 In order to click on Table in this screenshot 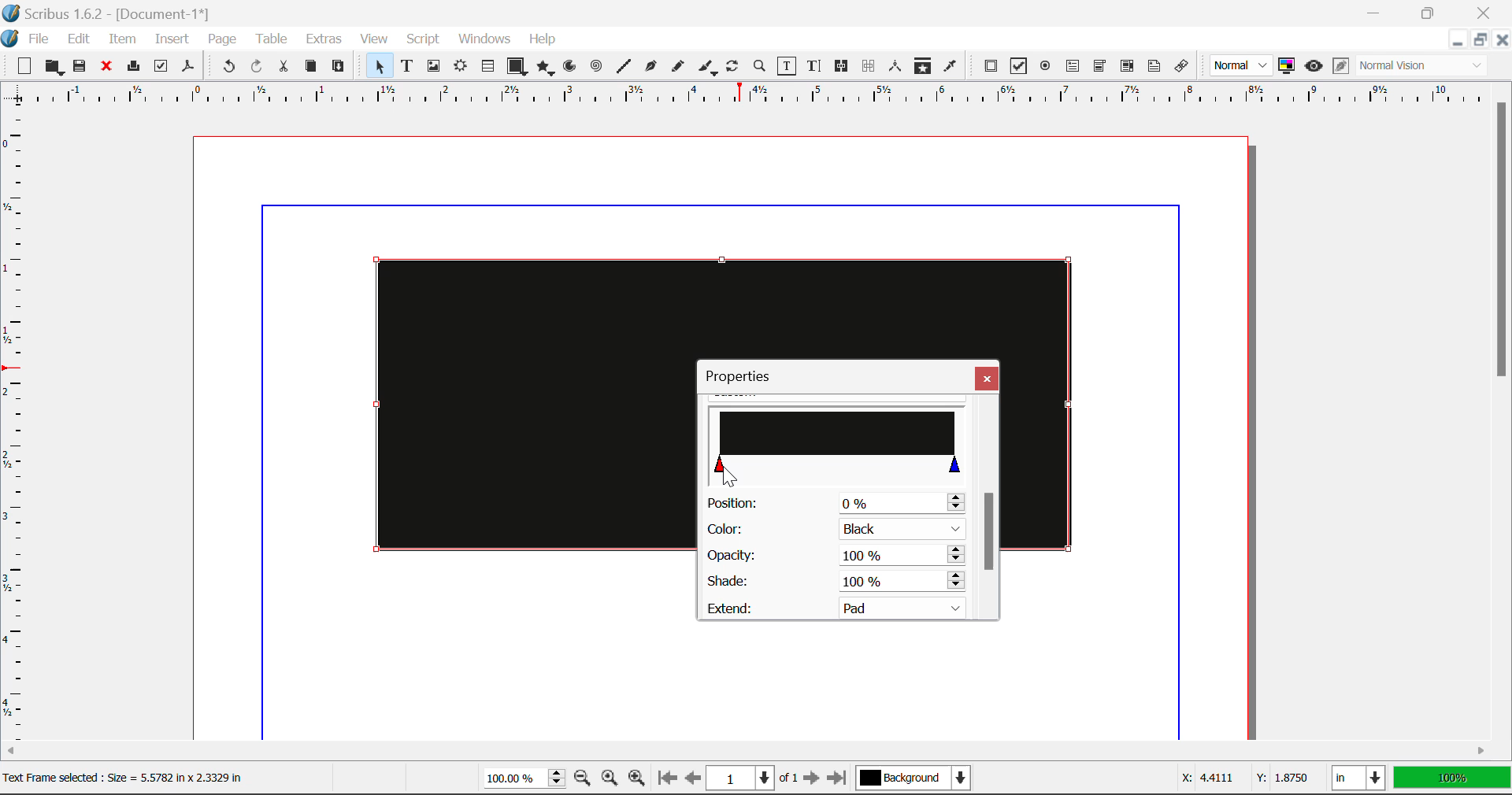, I will do `click(270, 40)`.